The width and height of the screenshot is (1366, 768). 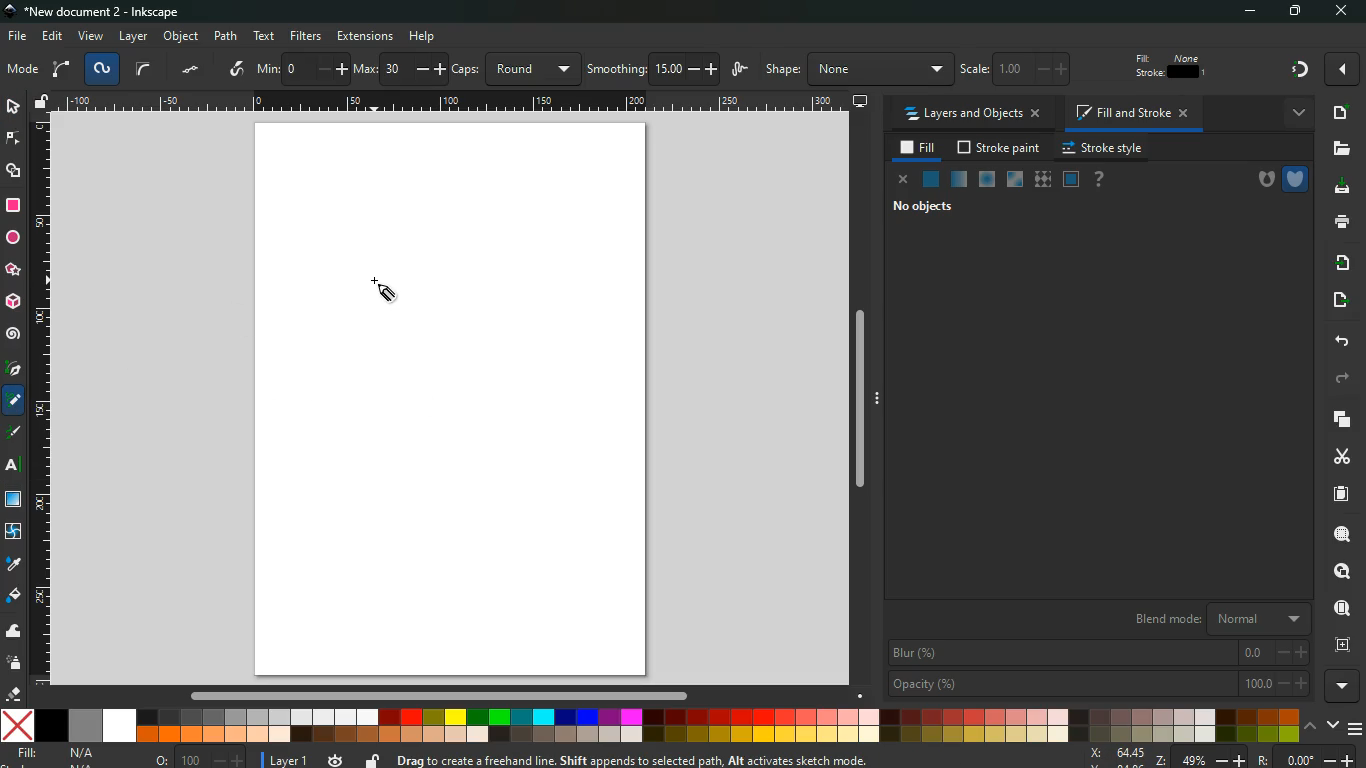 I want to click on fill, so click(x=919, y=148).